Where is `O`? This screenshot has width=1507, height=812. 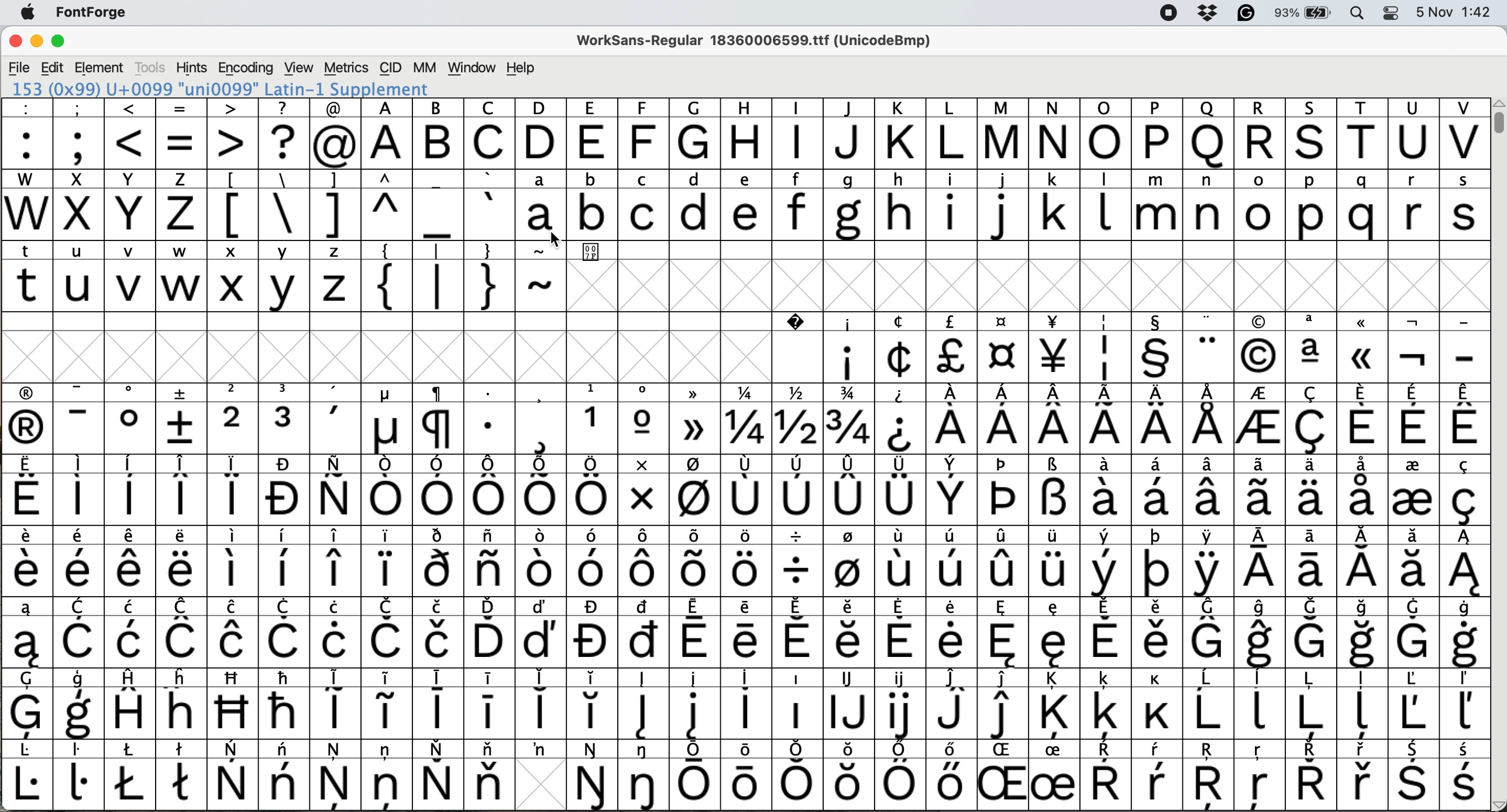
O is located at coordinates (1105, 133).